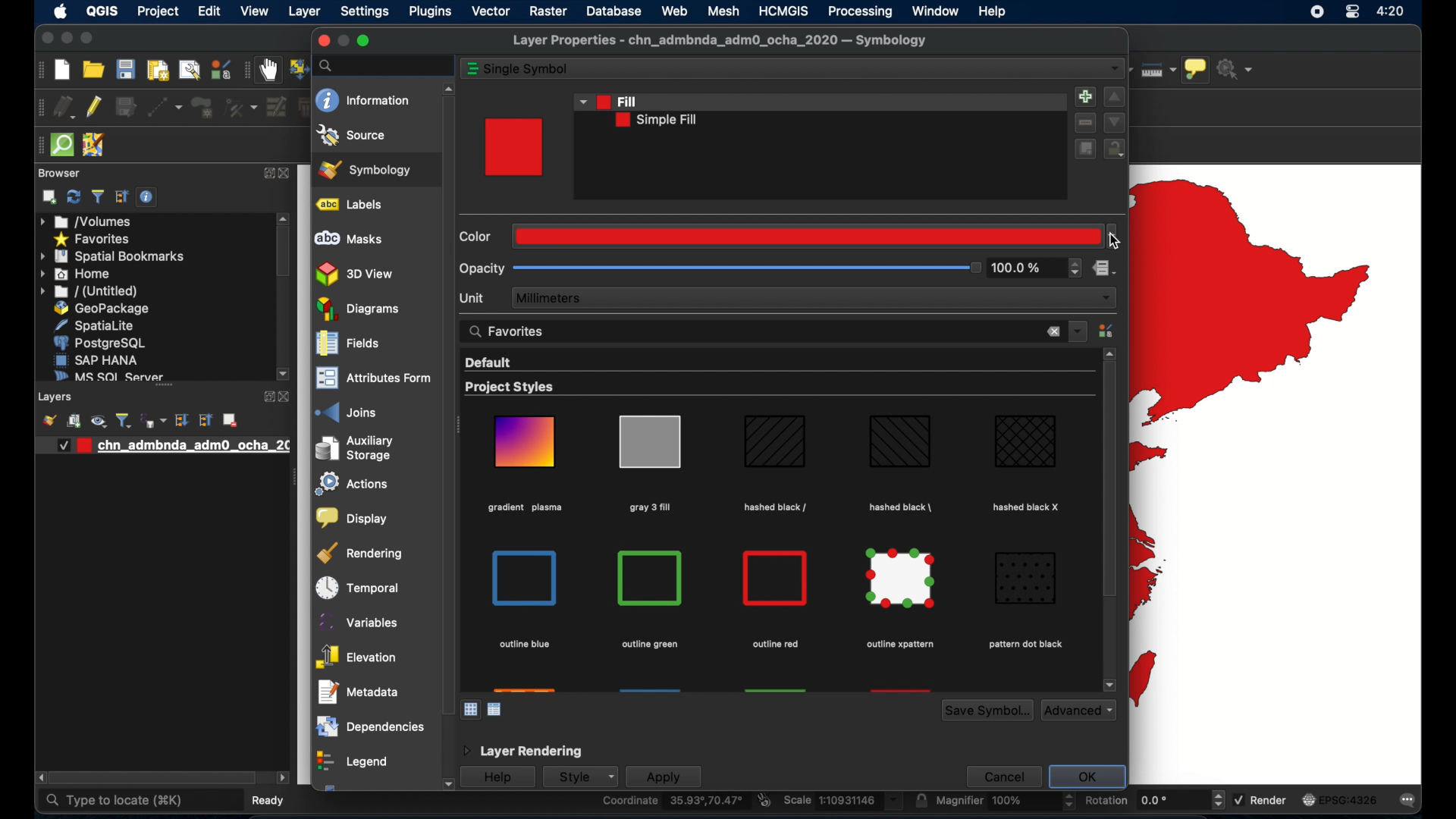  Describe the element at coordinates (652, 578) in the screenshot. I see `` at that location.